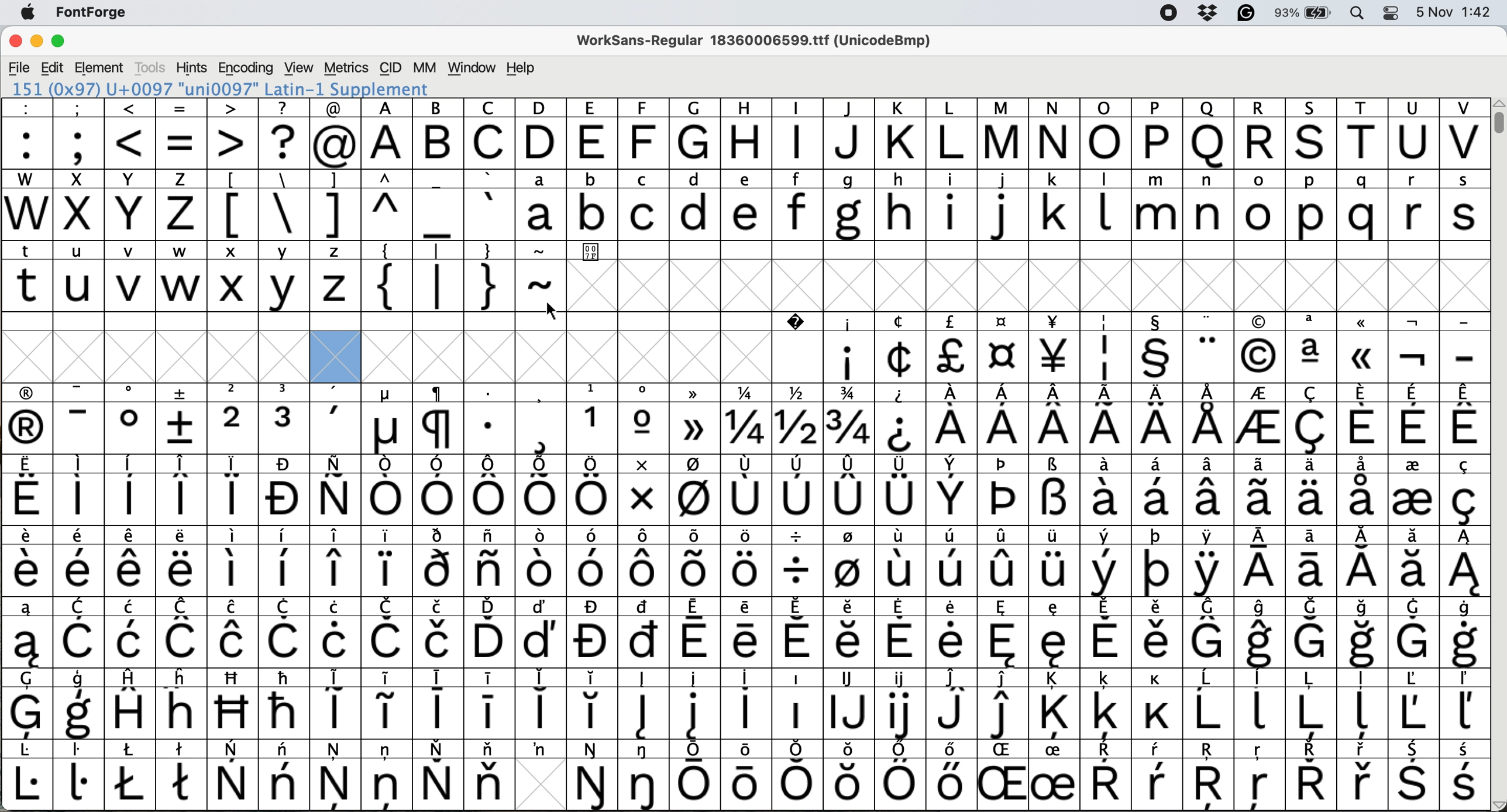 The width and height of the screenshot is (1507, 812). What do you see at coordinates (59, 44) in the screenshot?
I see `maximise` at bounding box center [59, 44].